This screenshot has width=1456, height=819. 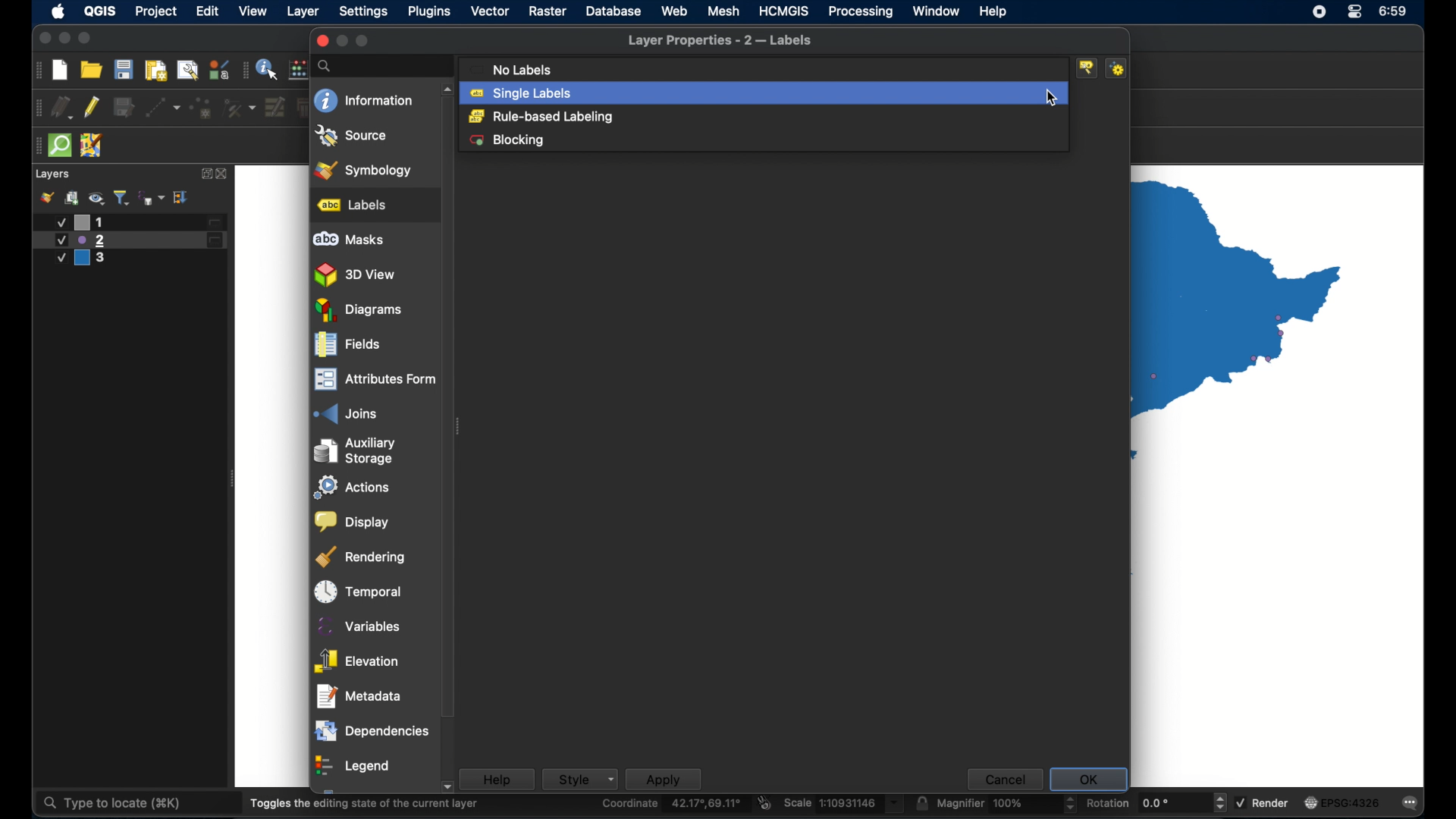 What do you see at coordinates (61, 146) in the screenshot?
I see `quick osm` at bounding box center [61, 146].